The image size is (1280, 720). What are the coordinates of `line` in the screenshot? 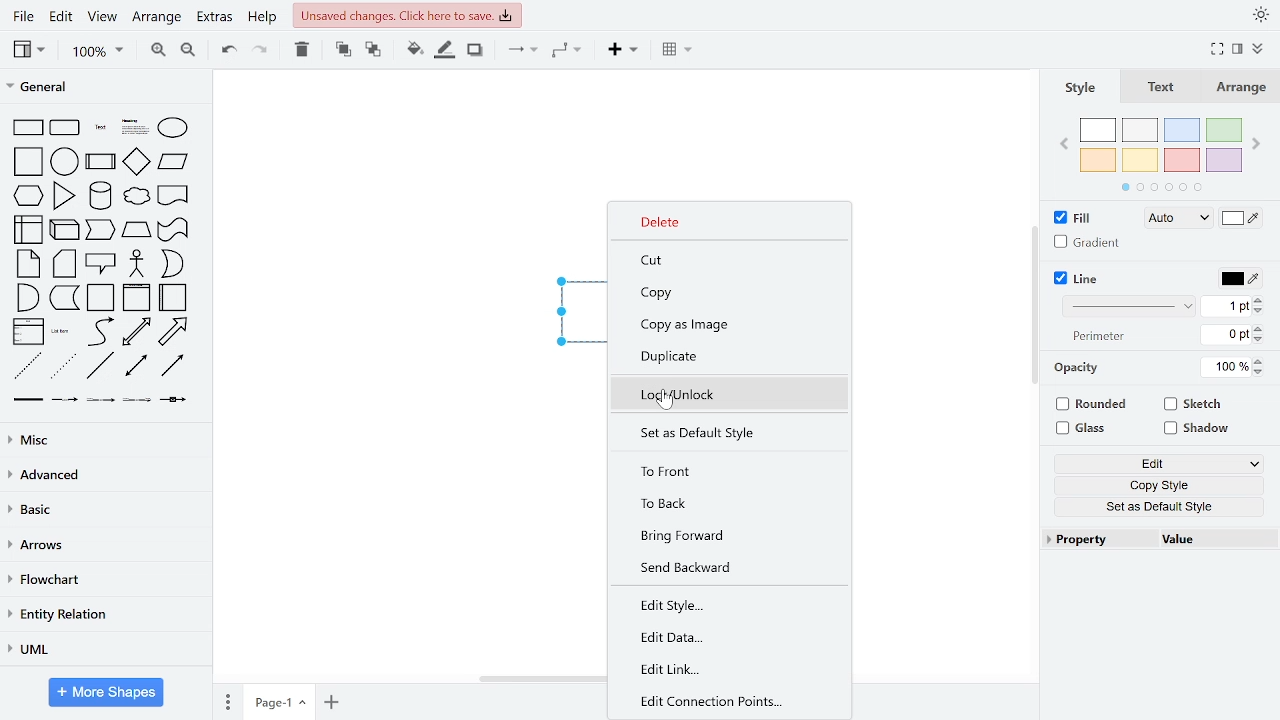 It's located at (1077, 279).